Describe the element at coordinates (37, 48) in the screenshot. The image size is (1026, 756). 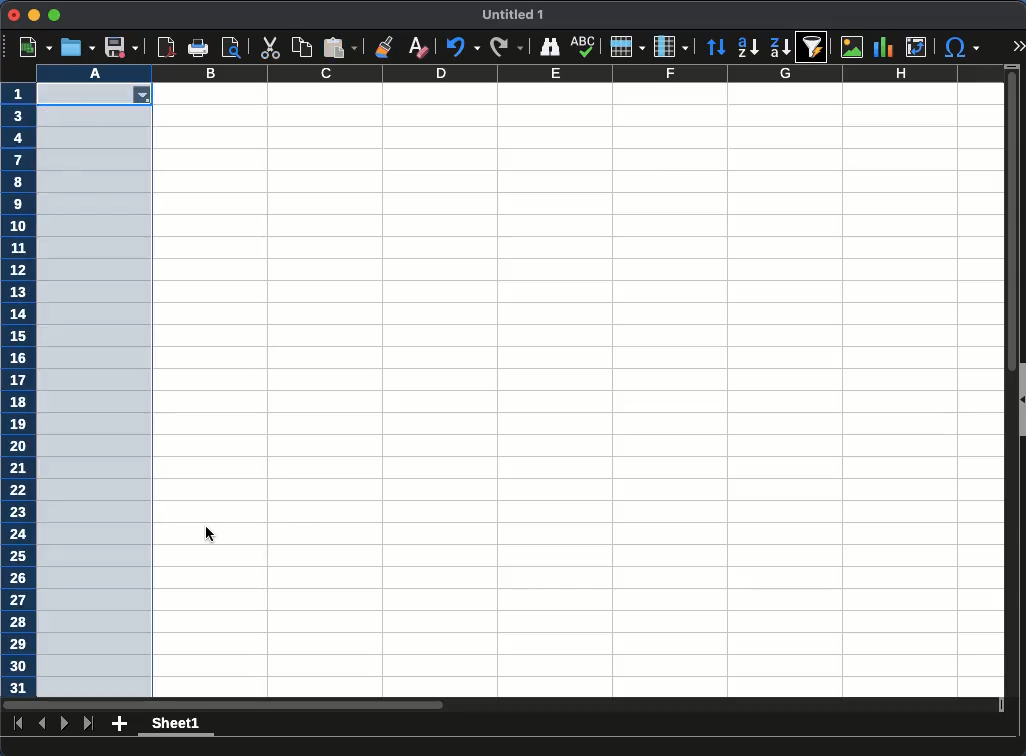
I see `new` at that location.